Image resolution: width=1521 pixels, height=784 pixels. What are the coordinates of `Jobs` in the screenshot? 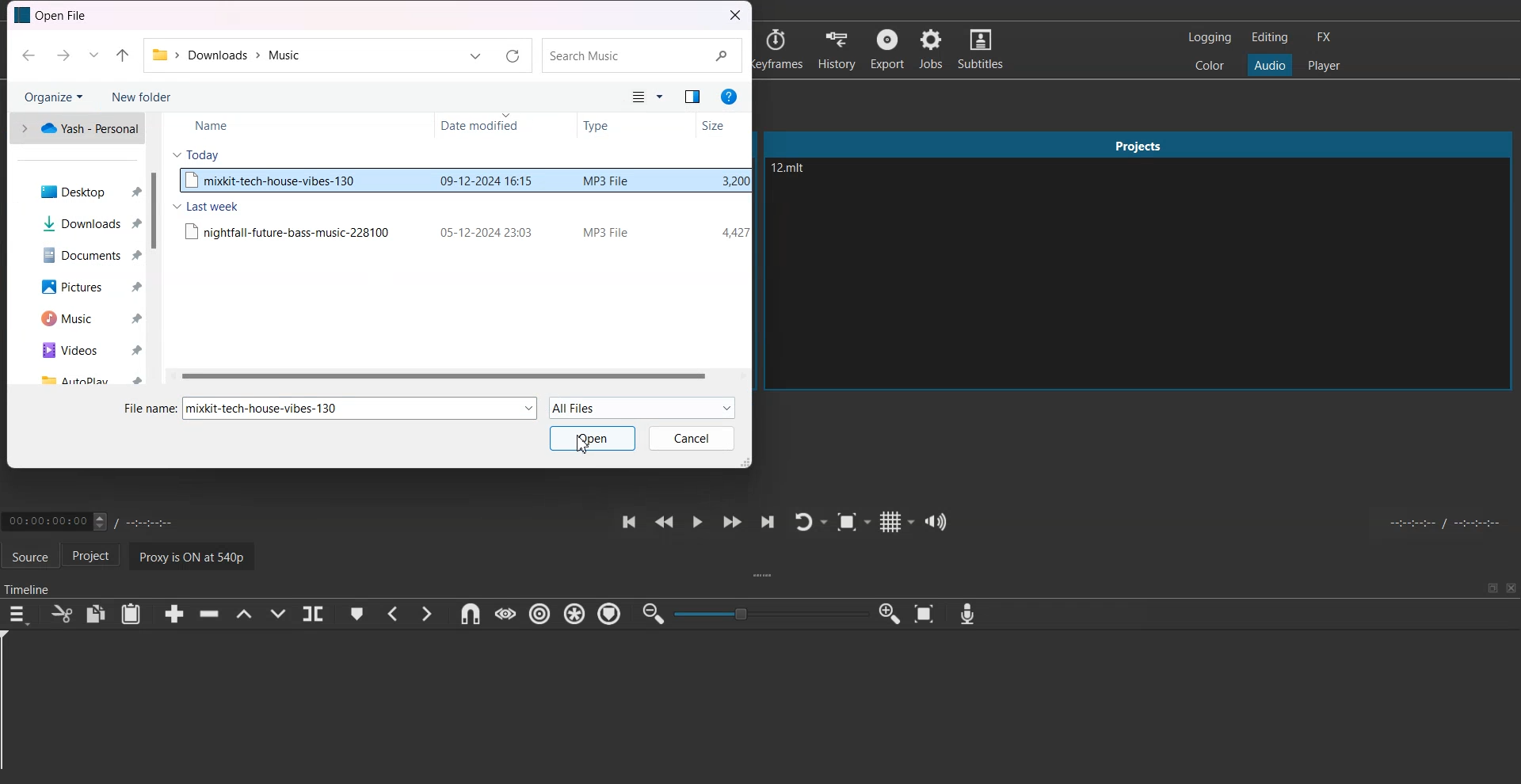 It's located at (932, 49).